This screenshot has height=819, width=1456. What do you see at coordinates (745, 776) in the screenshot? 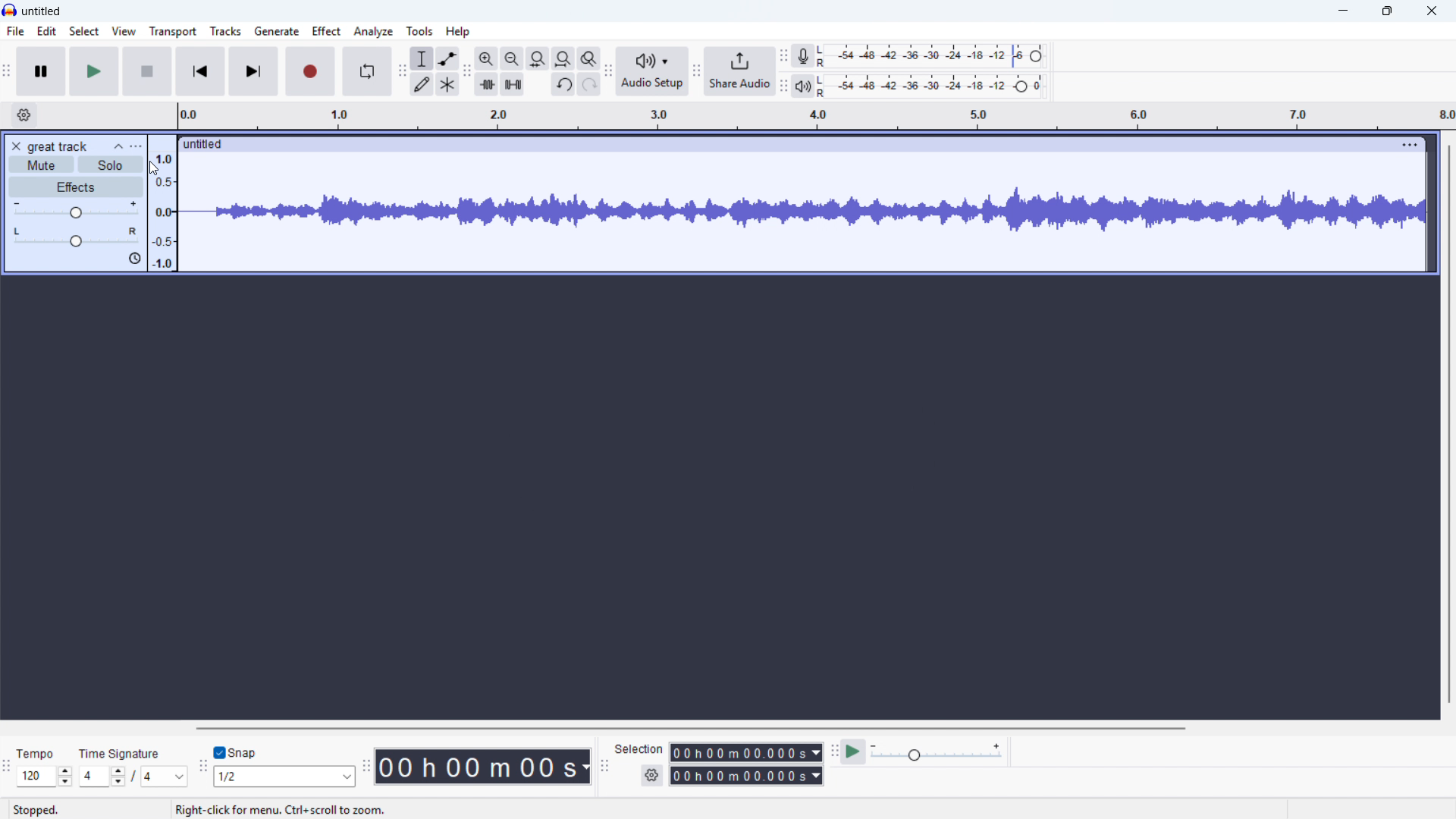
I see `Selection end time` at bounding box center [745, 776].